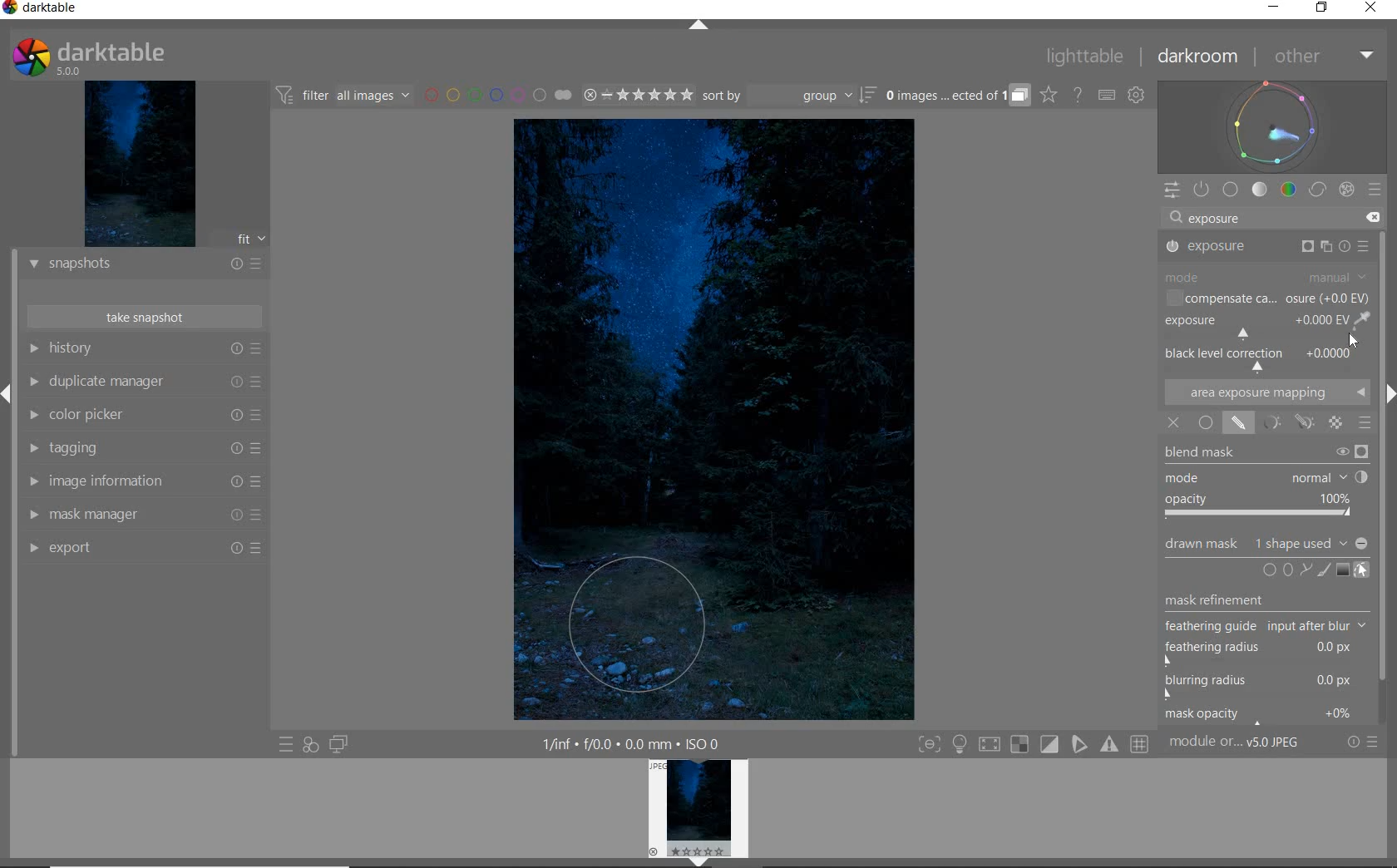 This screenshot has height=868, width=1397. I want to click on blurring radius, so click(1260, 688).